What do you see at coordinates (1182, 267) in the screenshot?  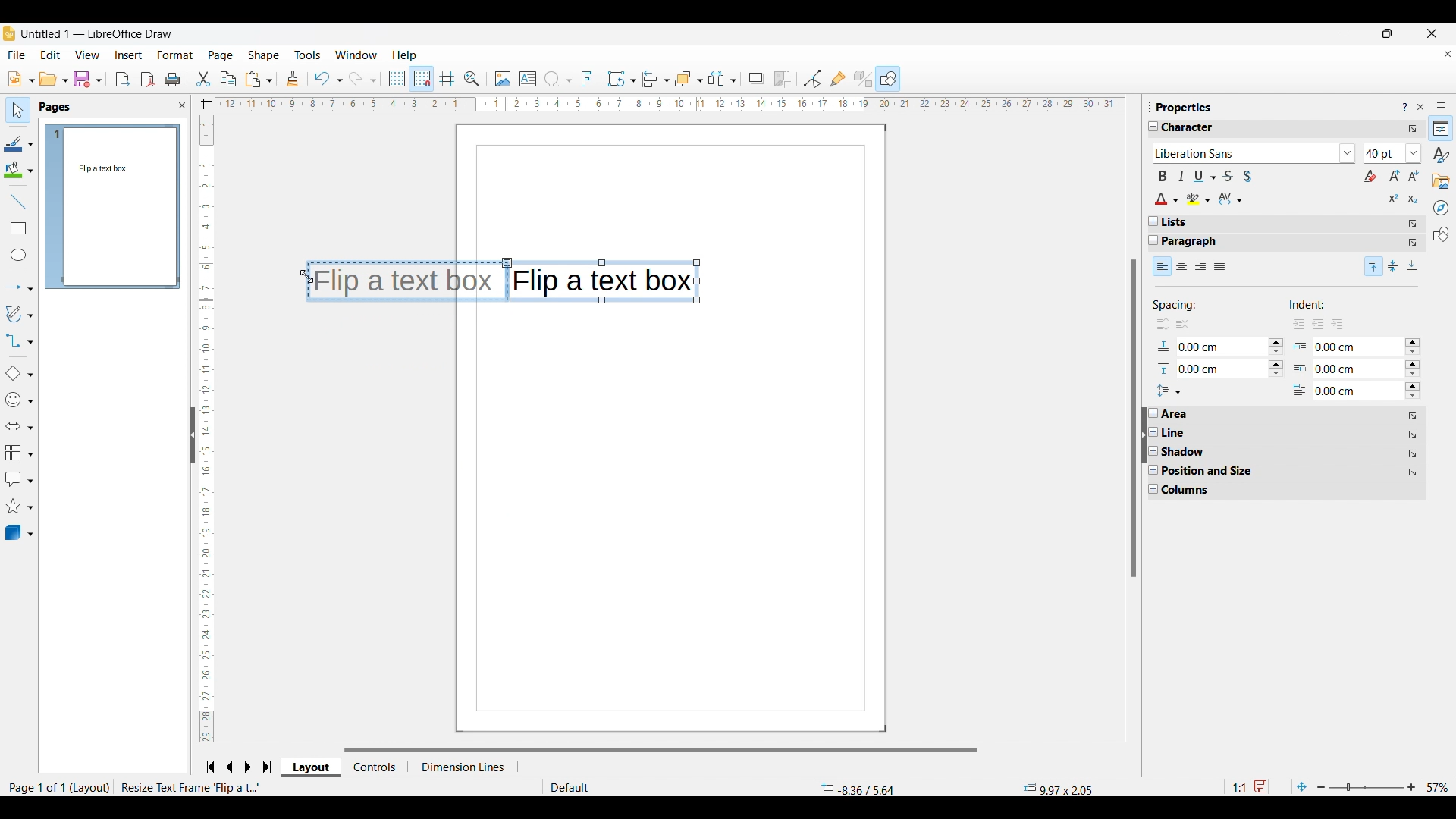 I see `Center alignment` at bounding box center [1182, 267].